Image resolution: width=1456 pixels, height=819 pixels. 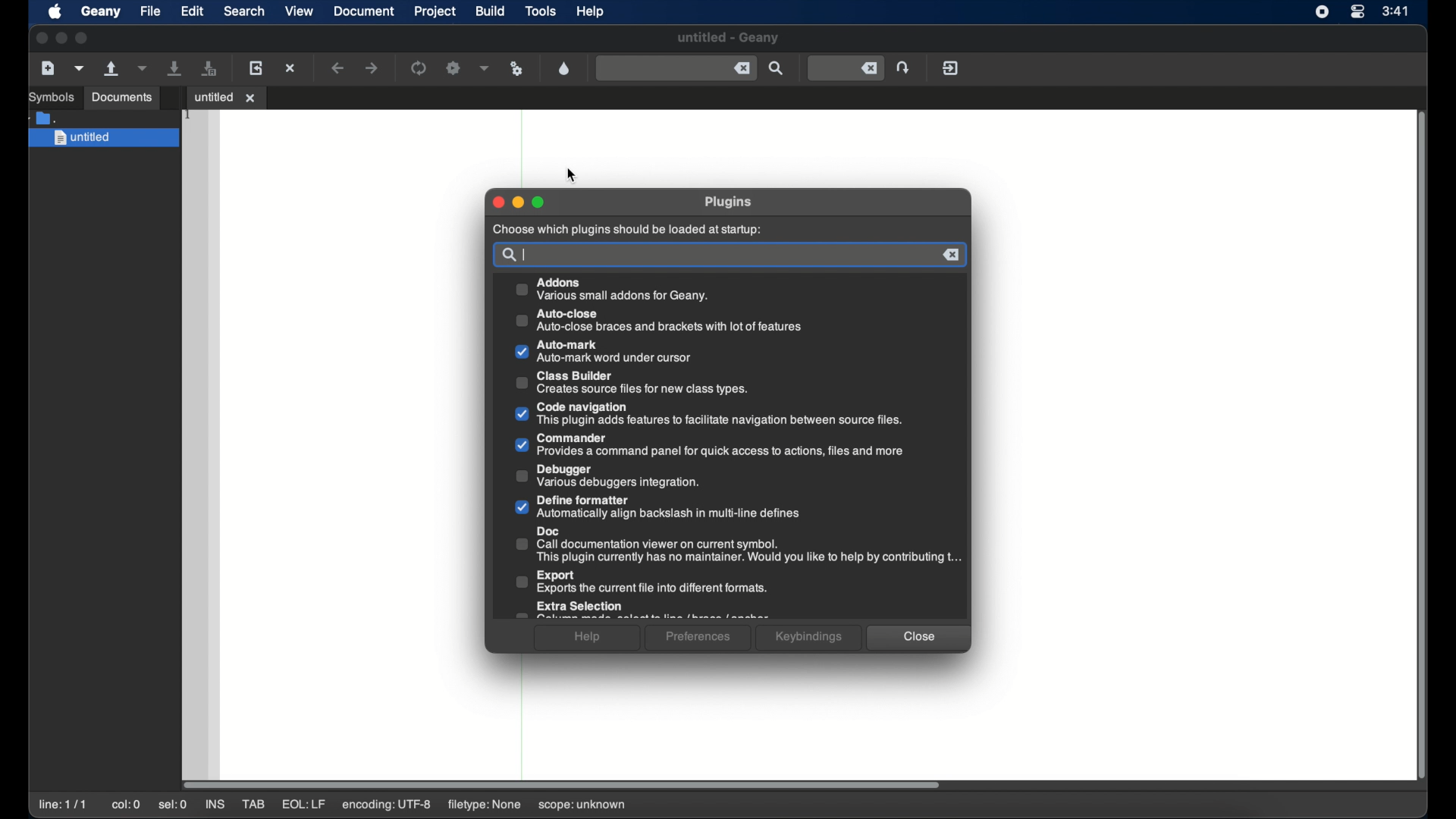 What do you see at coordinates (564, 783) in the screenshot?
I see `scroll box` at bounding box center [564, 783].